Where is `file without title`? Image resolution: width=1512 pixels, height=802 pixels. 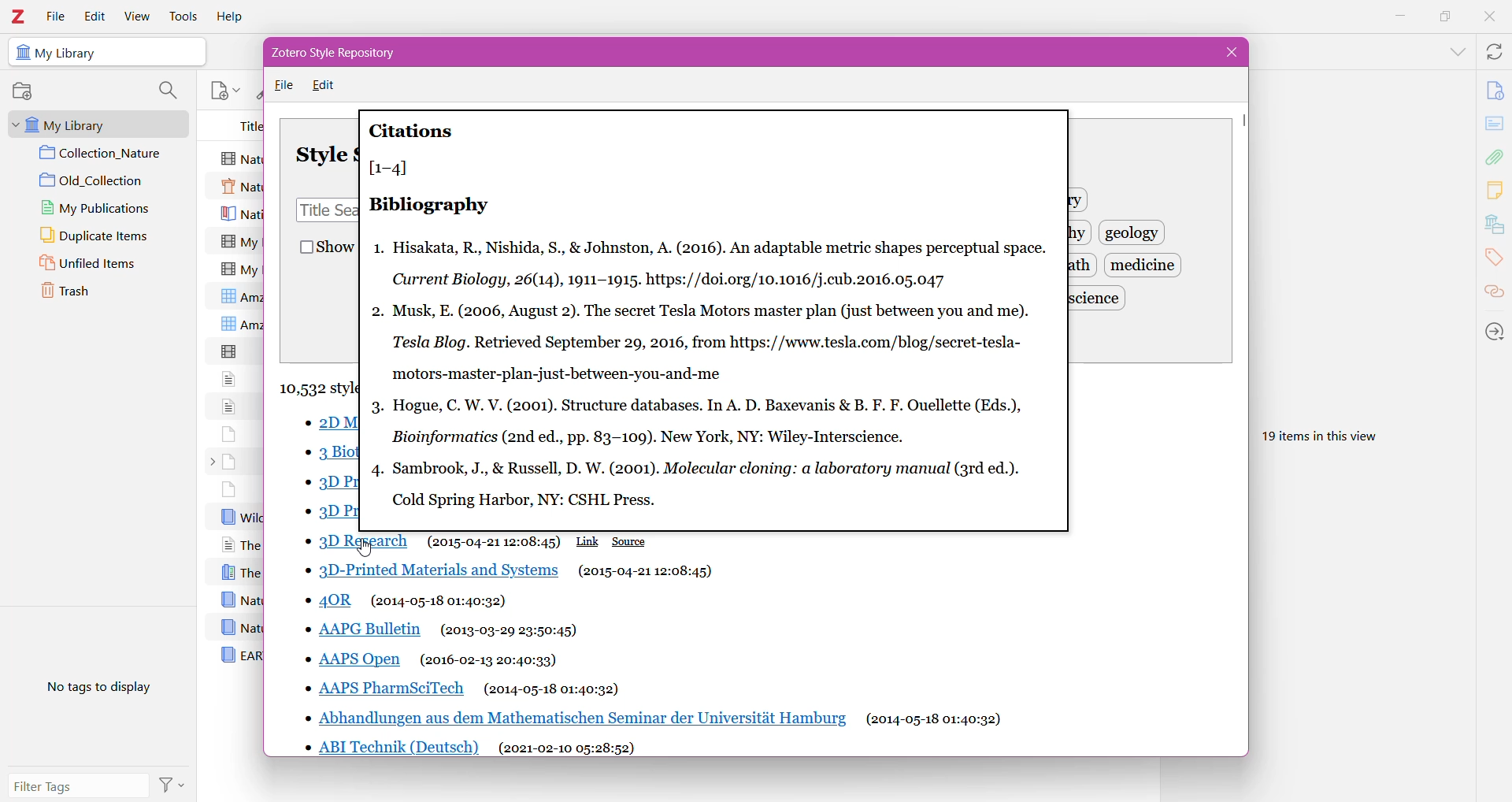 file without title is located at coordinates (231, 351).